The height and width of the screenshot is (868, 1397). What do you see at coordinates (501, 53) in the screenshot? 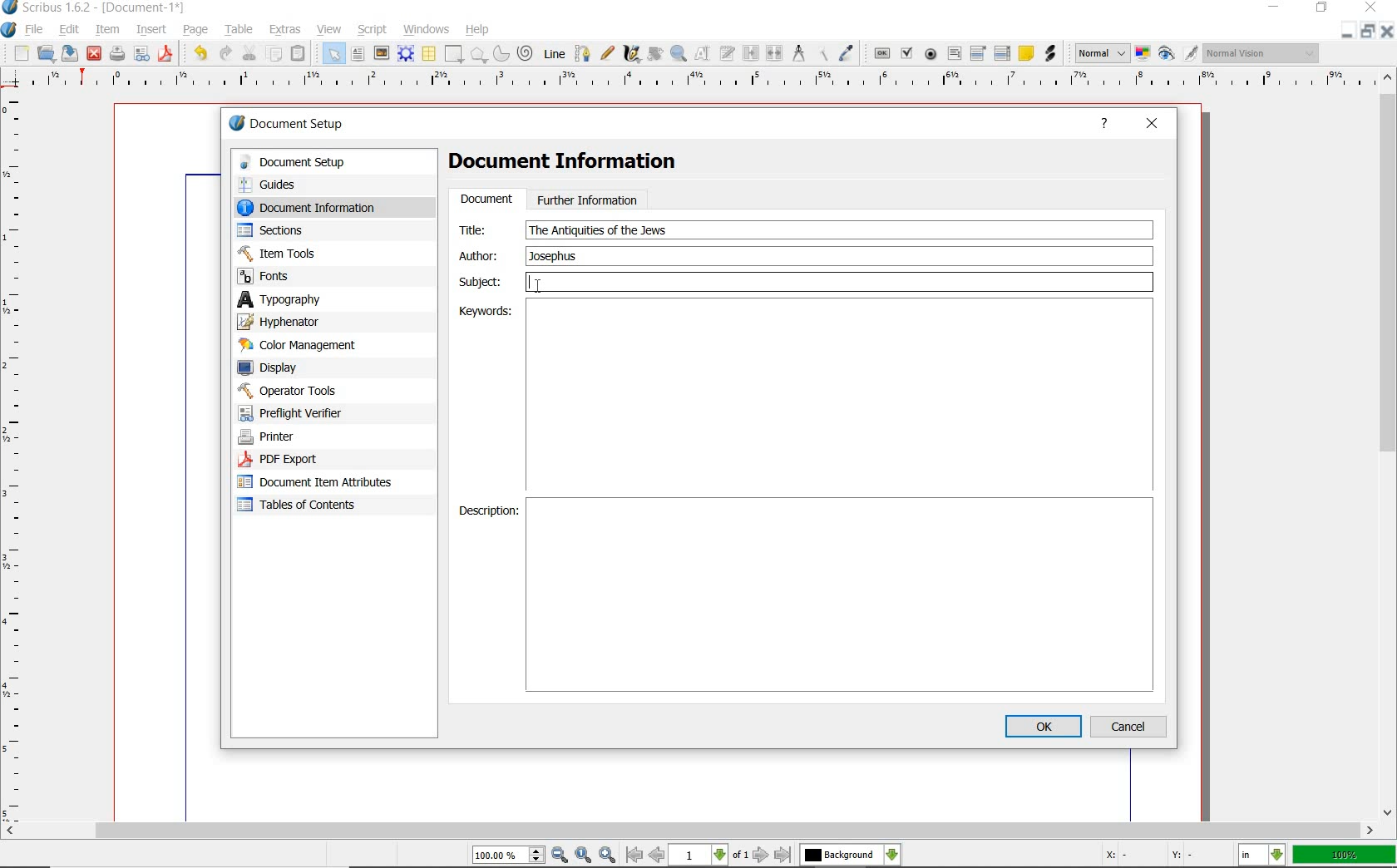
I see `arc` at bounding box center [501, 53].